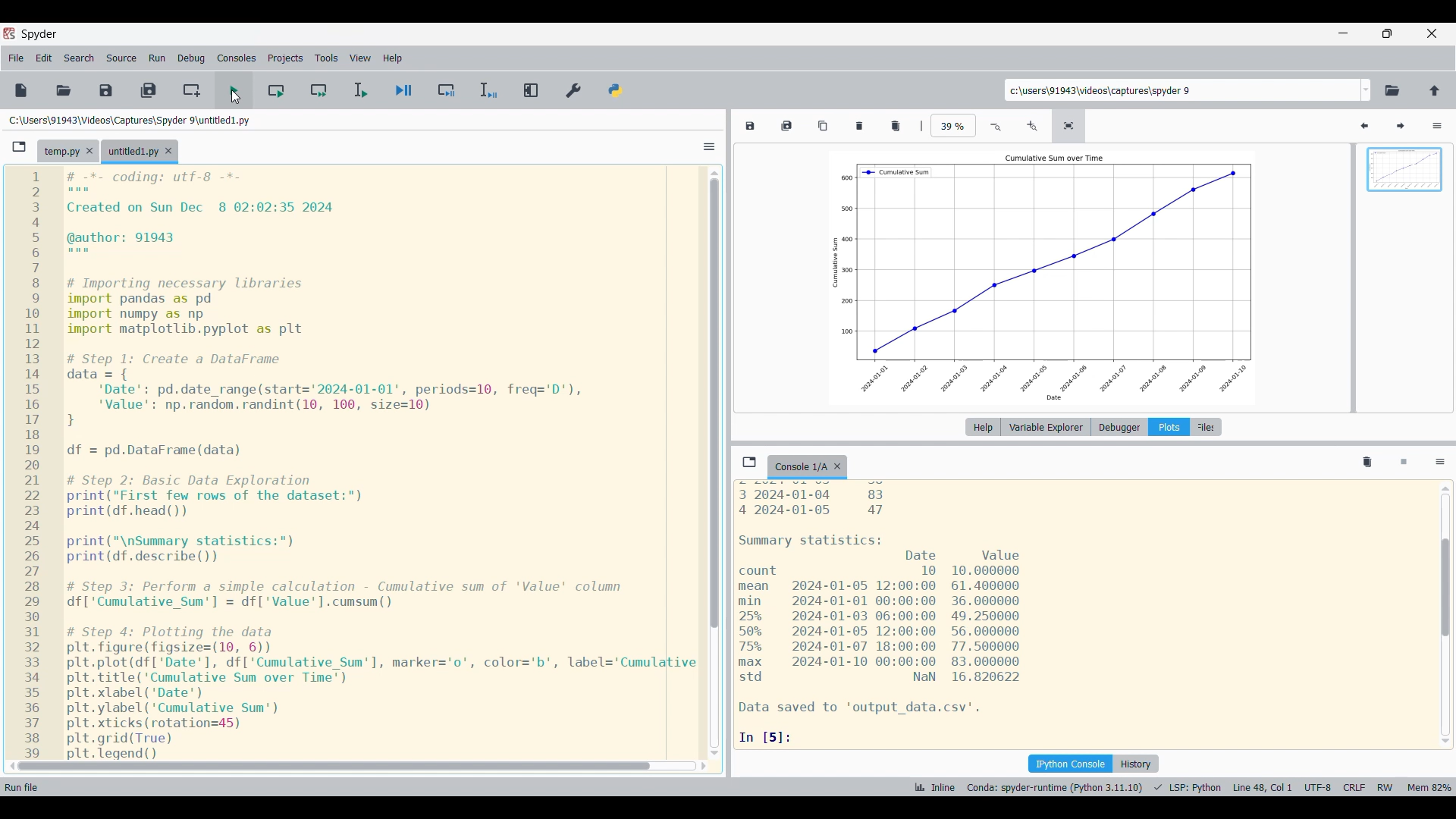 The width and height of the screenshot is (1456, 819). What do you see at coordinates (1403, 279) in the screenshot?
I see `Plot preview` at bounding box center [1403, 279].